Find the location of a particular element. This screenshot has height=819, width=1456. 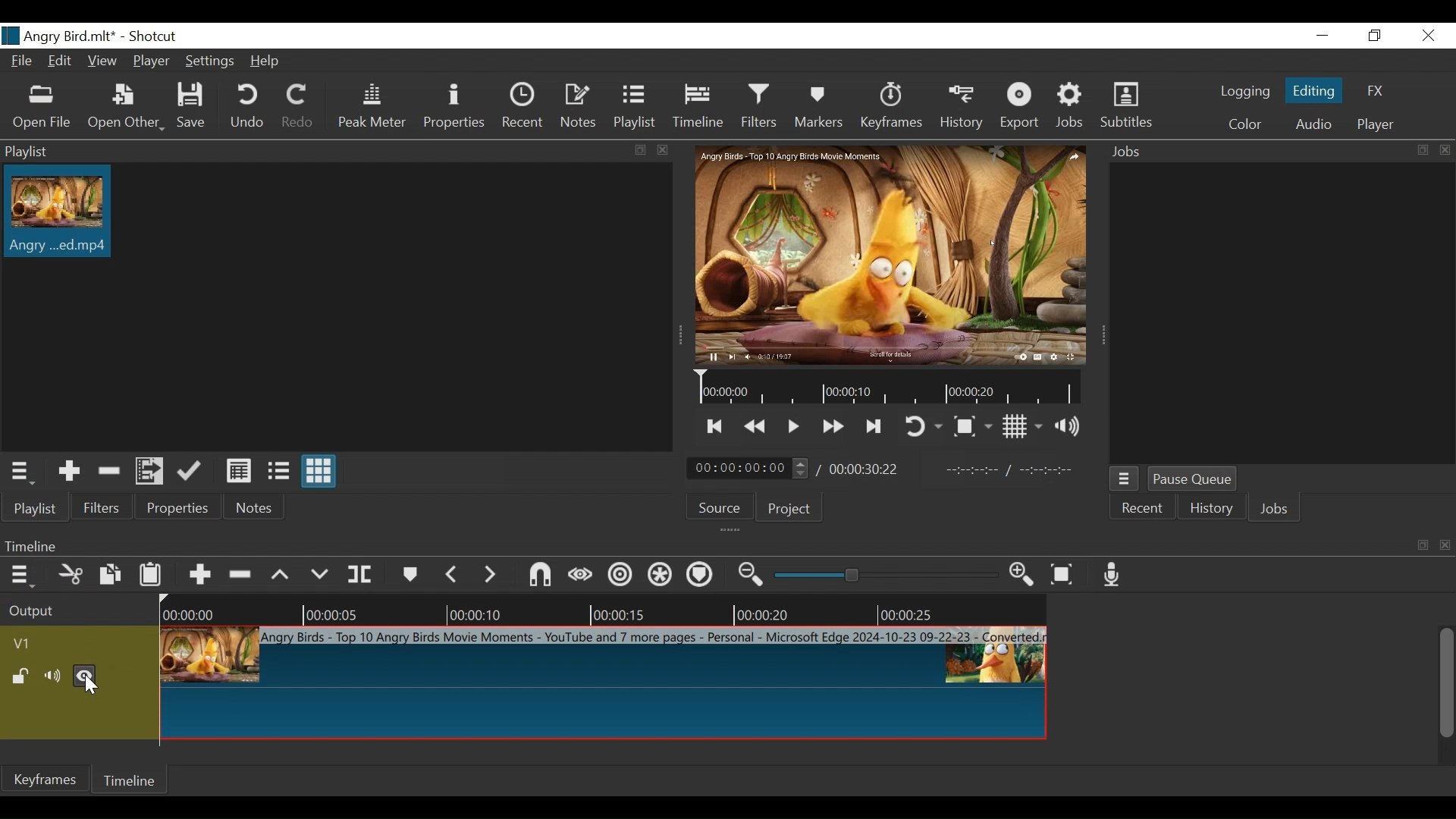

Zoom timeline out is located at coordinates (753, 575).